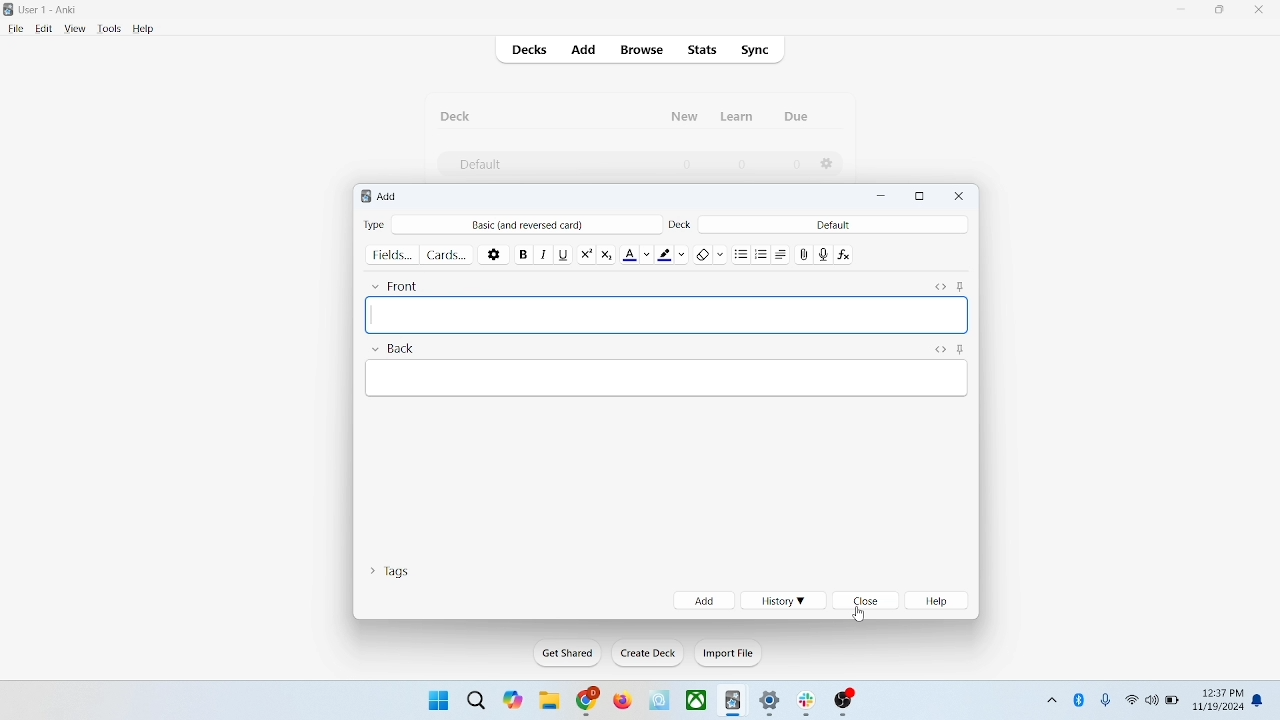  I want to click on icon, so click(661, 701).